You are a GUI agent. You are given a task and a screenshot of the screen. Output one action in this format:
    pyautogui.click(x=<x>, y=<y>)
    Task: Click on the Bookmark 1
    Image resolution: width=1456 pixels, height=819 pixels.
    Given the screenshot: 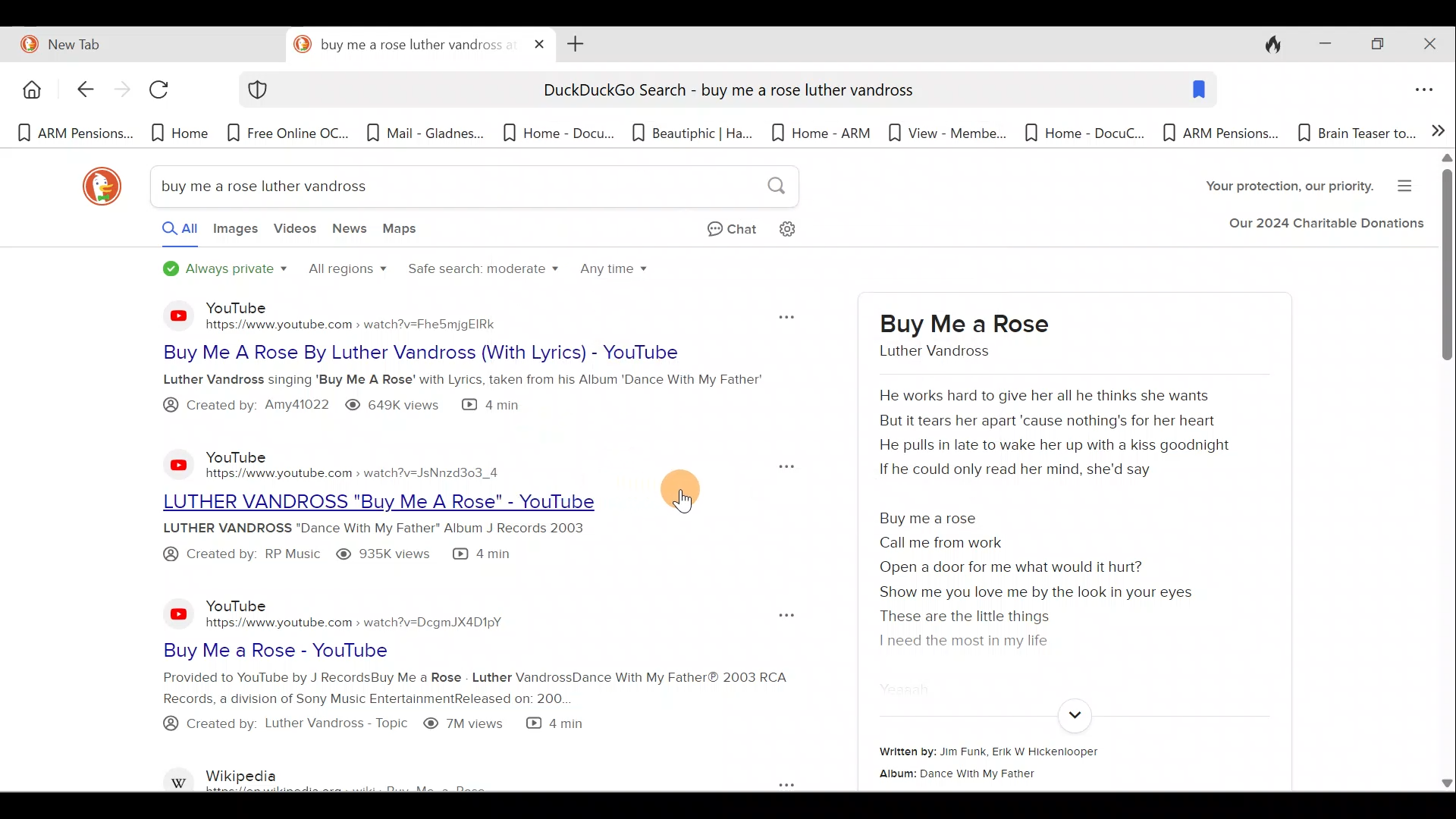 What is the action you would take?
    pyautogui.click(x=74, y=134)
    